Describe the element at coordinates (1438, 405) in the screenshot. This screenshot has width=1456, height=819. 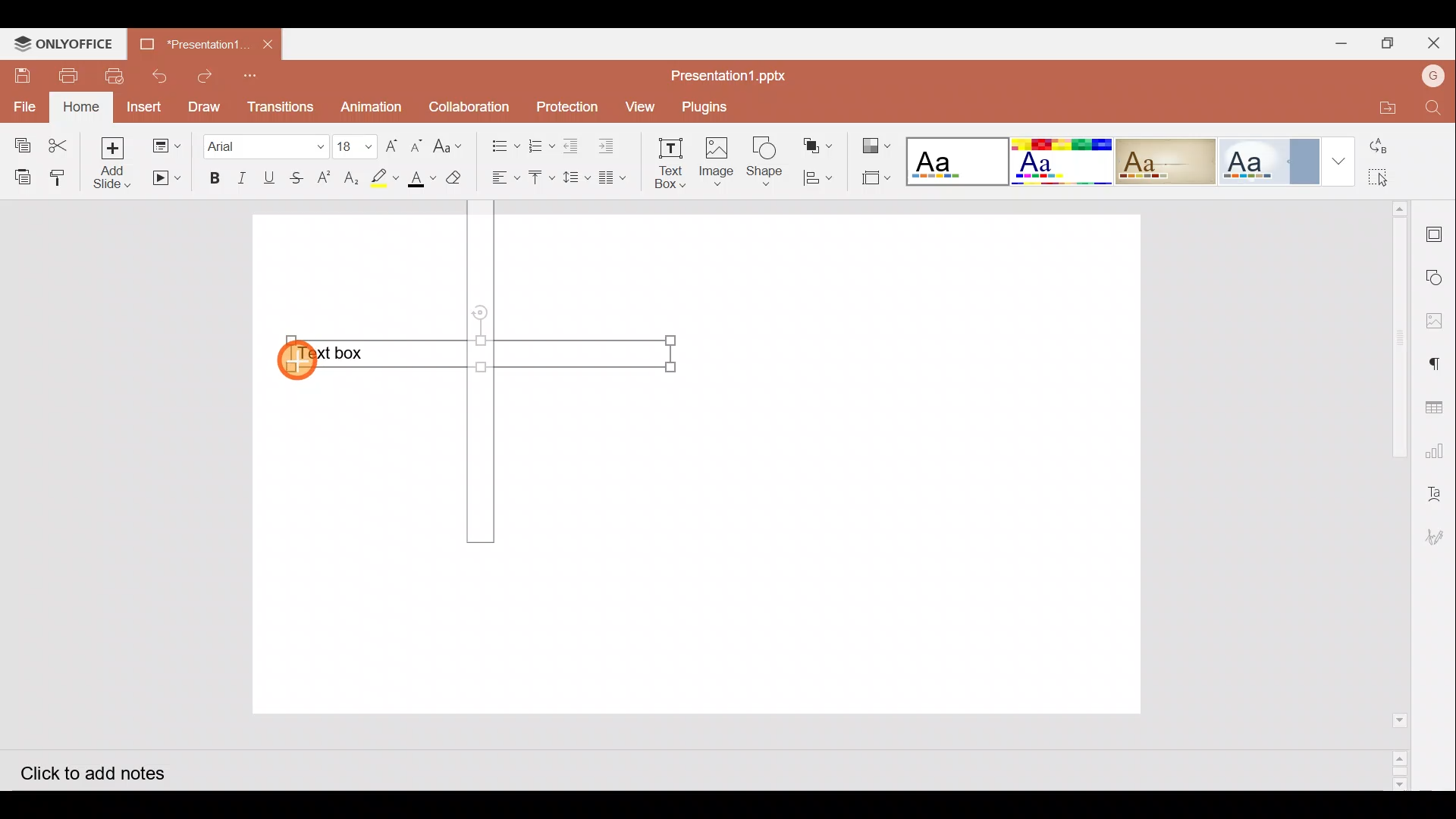
I see `Table settings` at that location.